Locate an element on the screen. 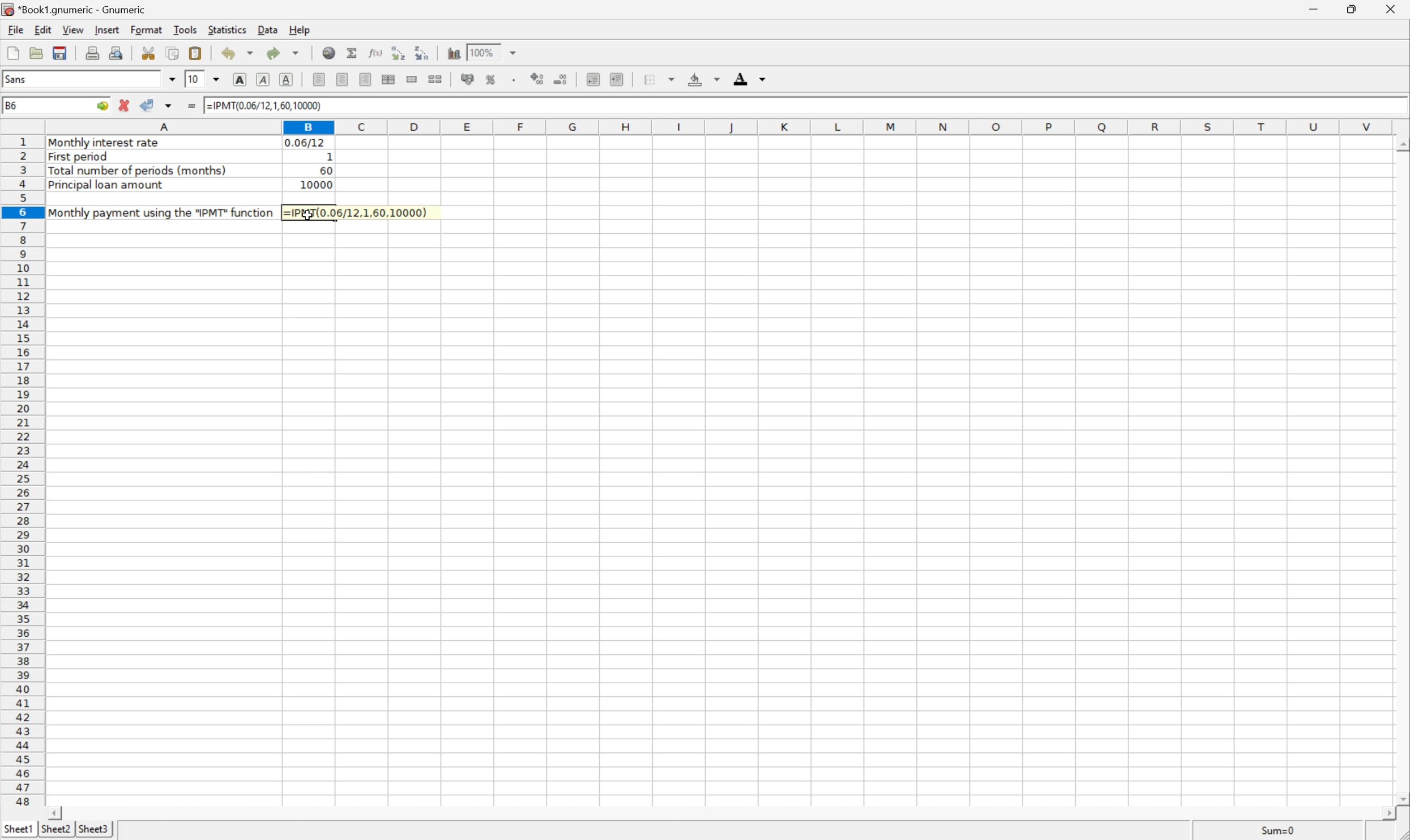  Sum=0 is located at coordinates (1272, 831).